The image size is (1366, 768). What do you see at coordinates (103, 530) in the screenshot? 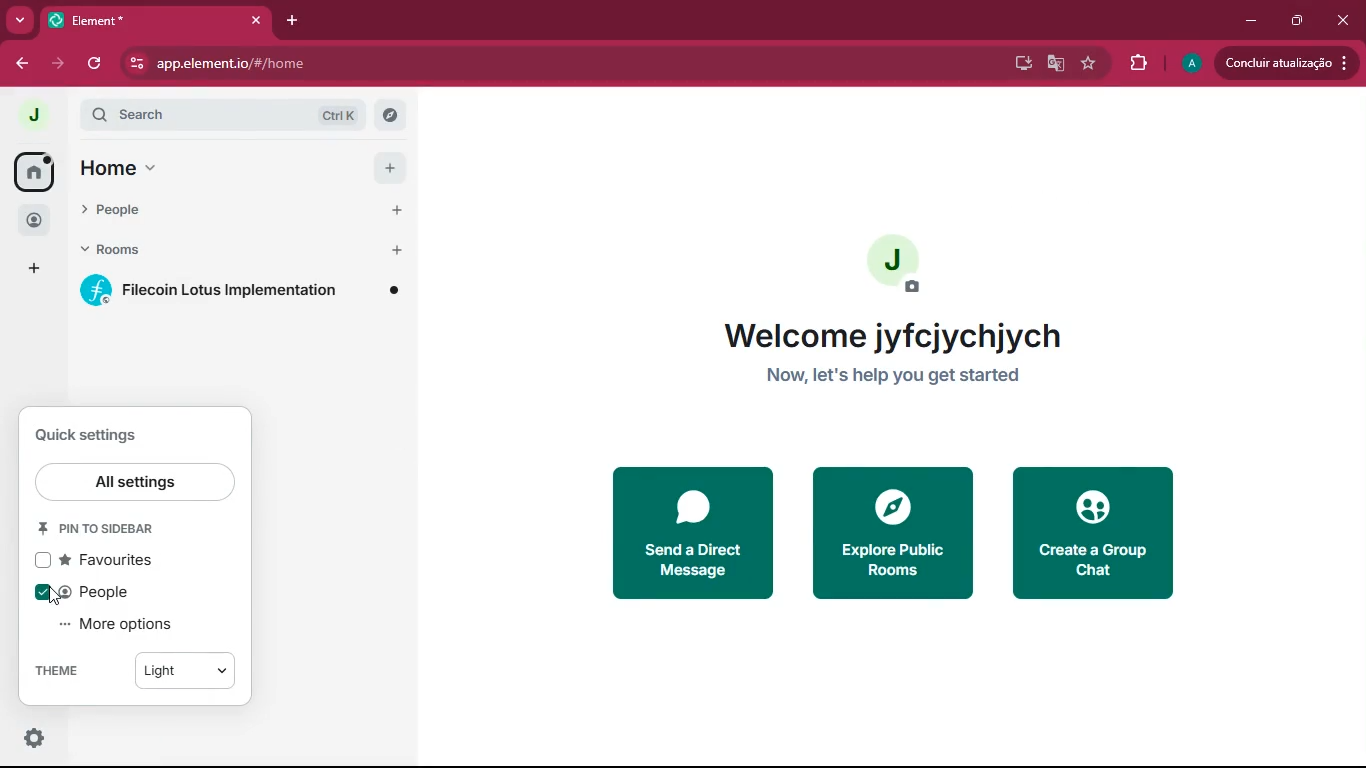
I see `pin ` at bounding box center [103, 530].